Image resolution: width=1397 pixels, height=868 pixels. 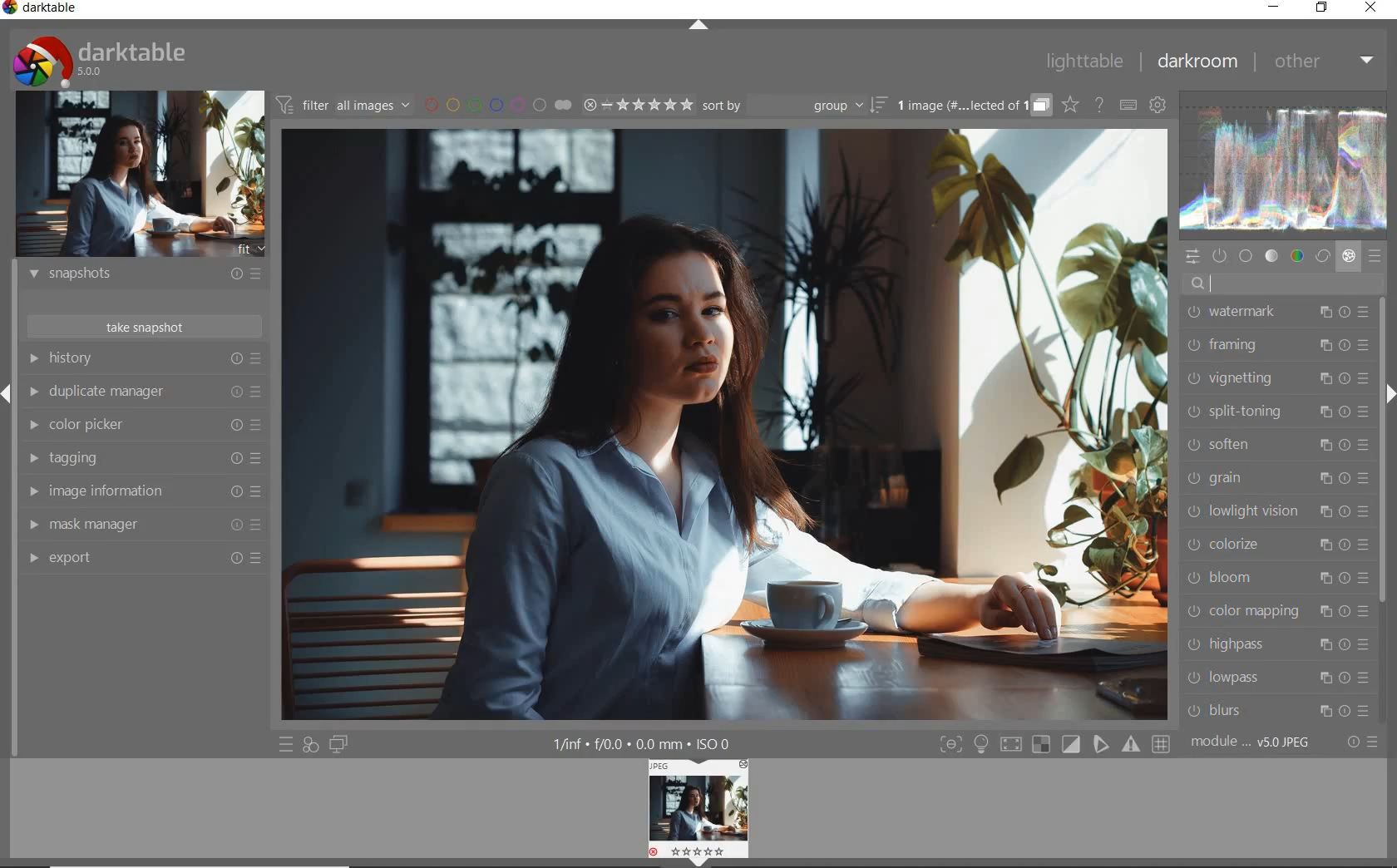 I want to click on bloom, so click(x=1278, y=578).